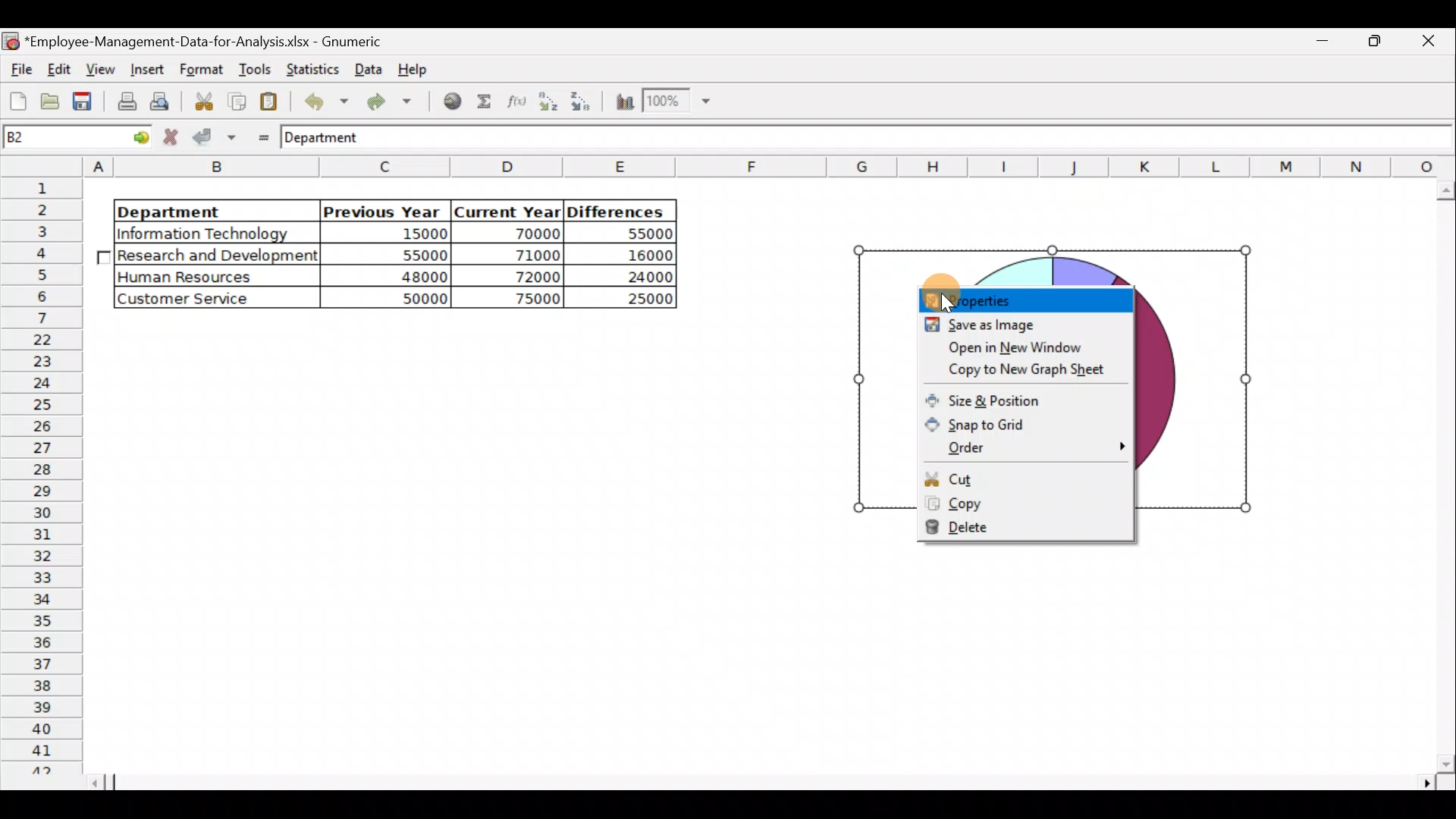 The width and height of the screenshot is (1456, 819). What do you see at coordinates (453, 102) in the screenshot?
I see `Insert hyperlink` at bounding box center [453, 102].